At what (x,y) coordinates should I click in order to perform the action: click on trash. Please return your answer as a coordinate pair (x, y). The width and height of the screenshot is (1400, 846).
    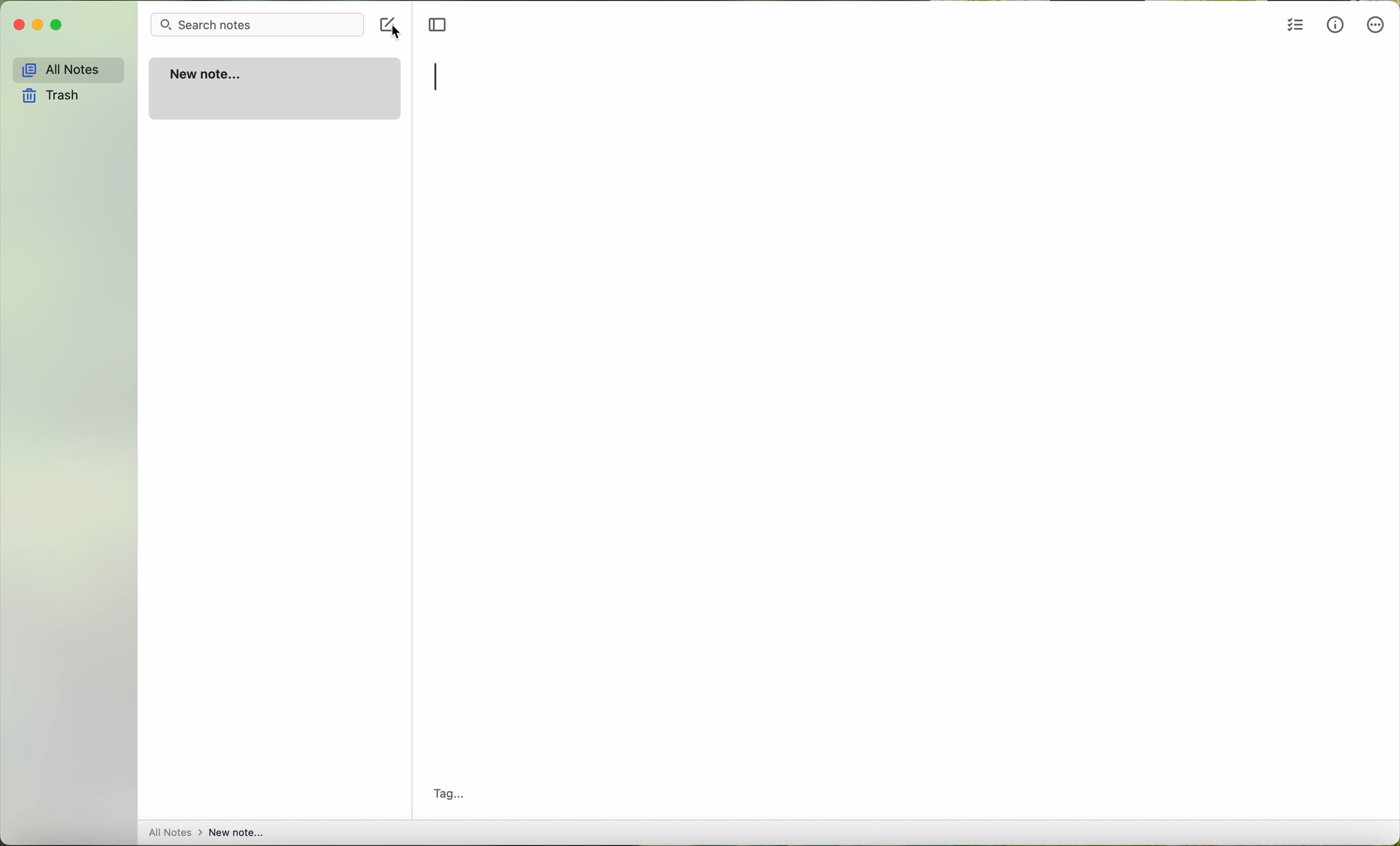
    Looking at the image, I should click on (57, 97).